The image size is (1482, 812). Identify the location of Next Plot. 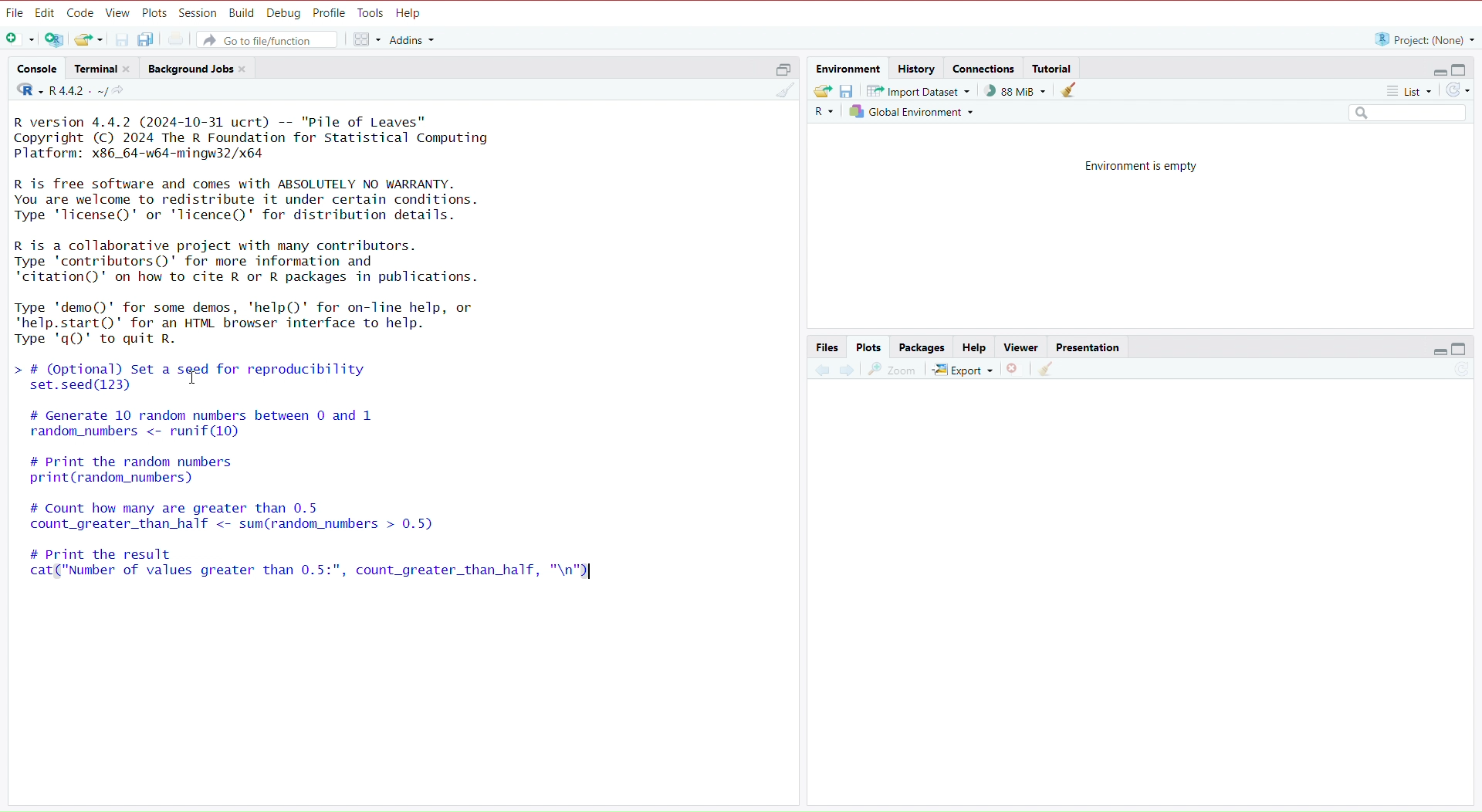
(848, 369).